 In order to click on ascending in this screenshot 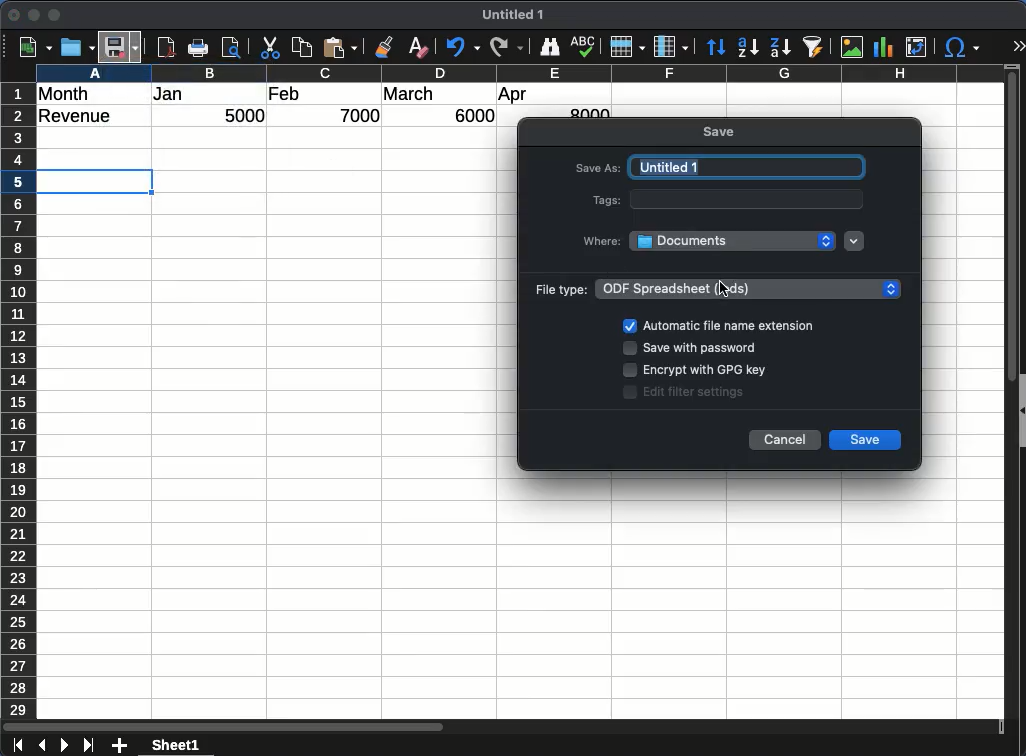, I will do `click(748, 47)`.